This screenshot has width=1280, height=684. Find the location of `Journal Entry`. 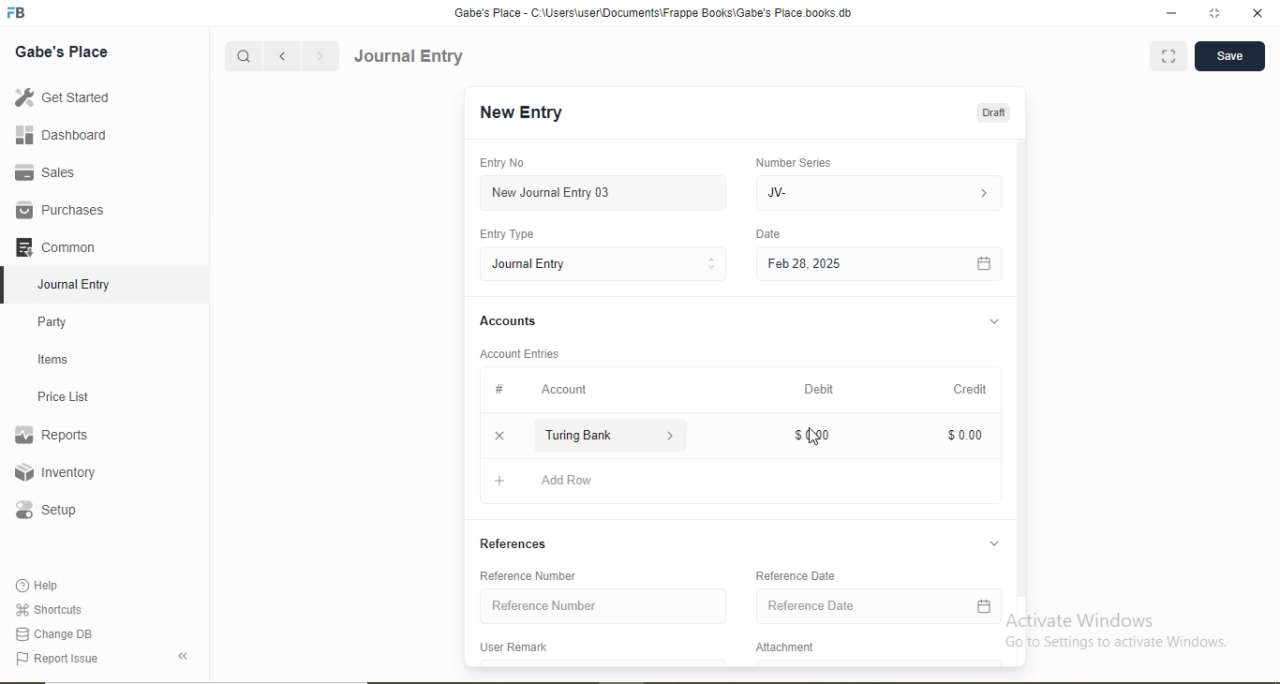

Journal Entry is located at coordinates (531, 264).